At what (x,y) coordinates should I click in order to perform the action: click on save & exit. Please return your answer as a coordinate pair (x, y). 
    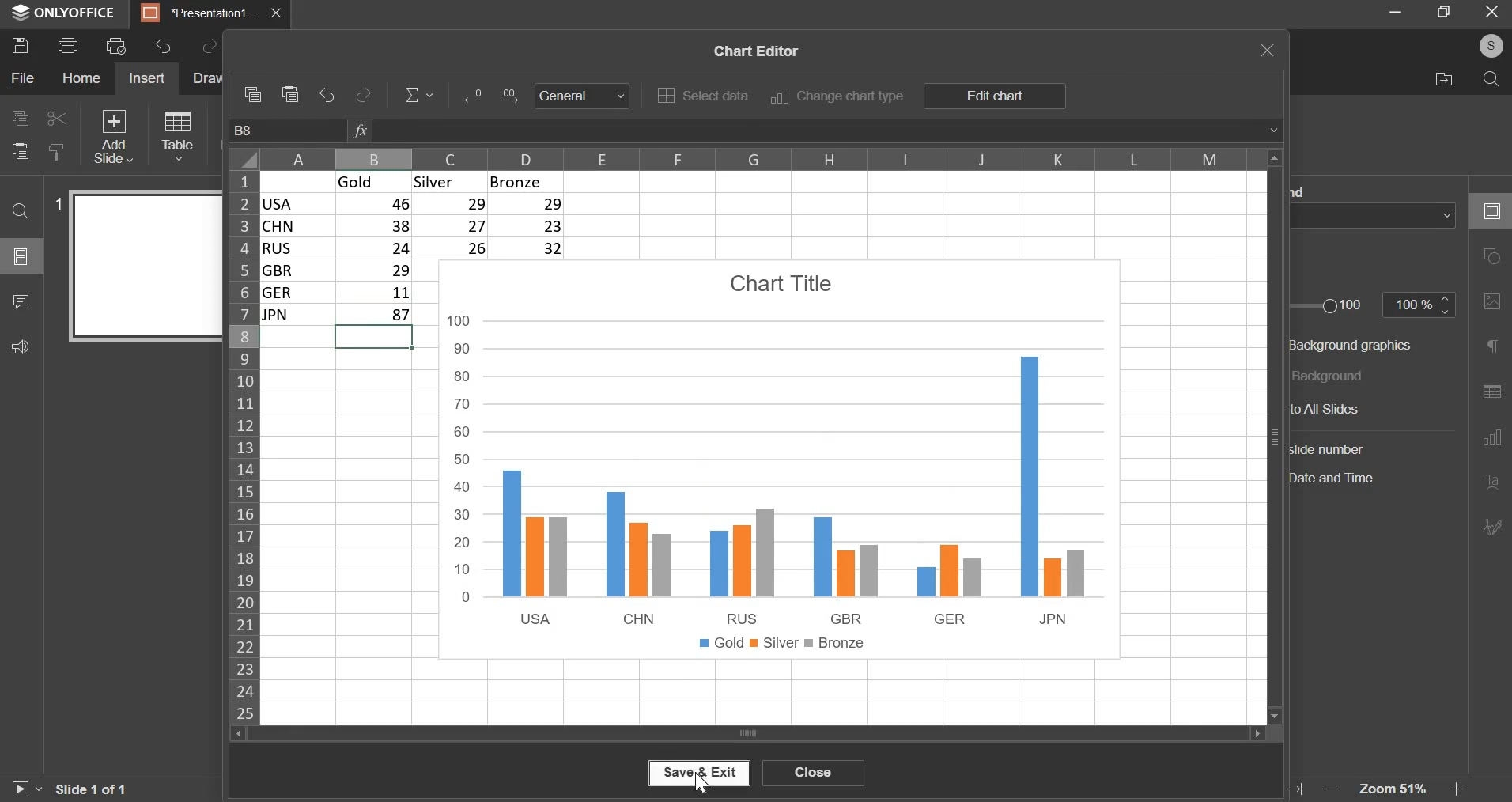
    Looking at the image, I should click on (698, 772).